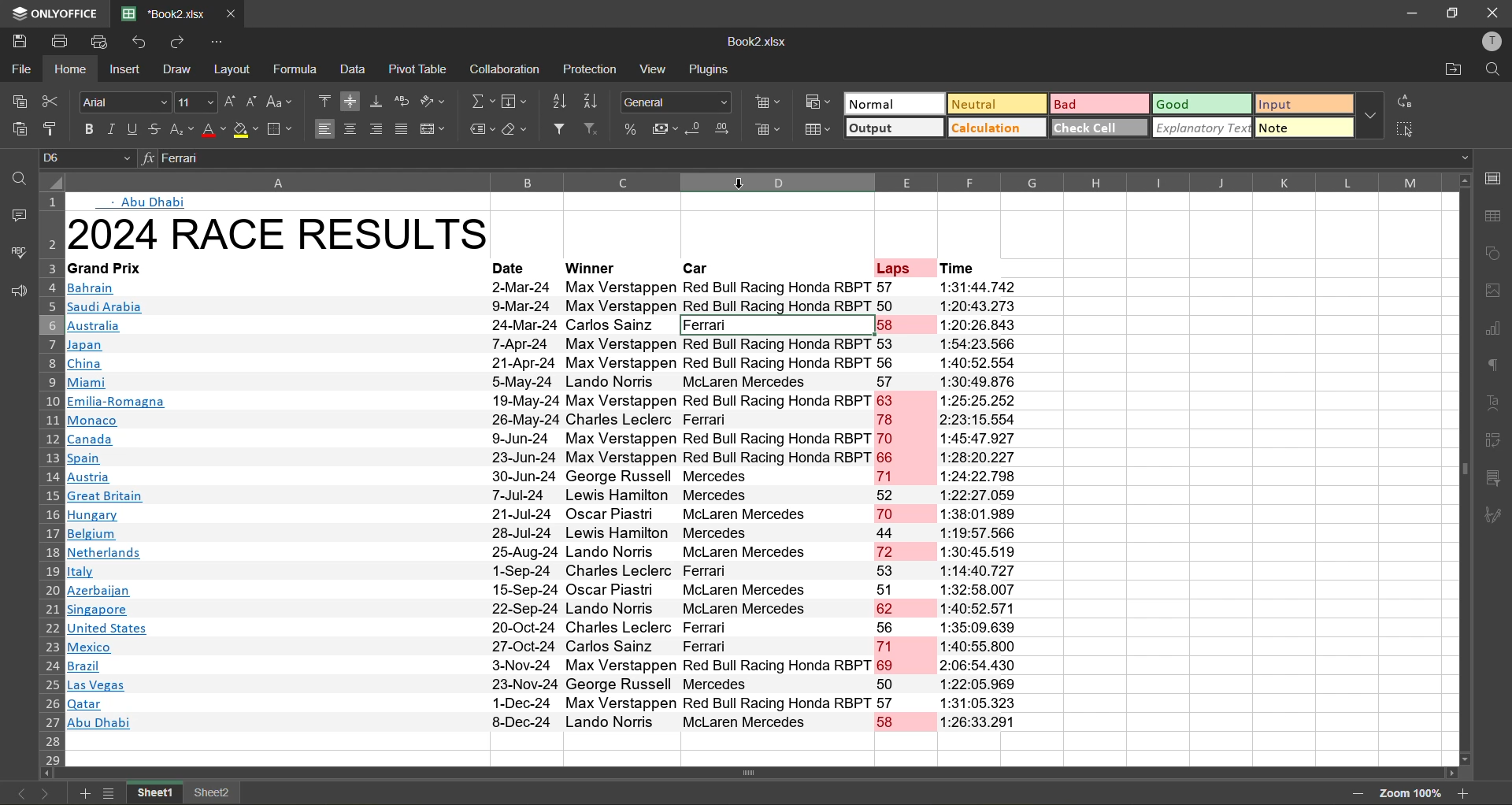  Describe the element at coordinates (893, 269) in the screenshot. I see `Laps` at that location.